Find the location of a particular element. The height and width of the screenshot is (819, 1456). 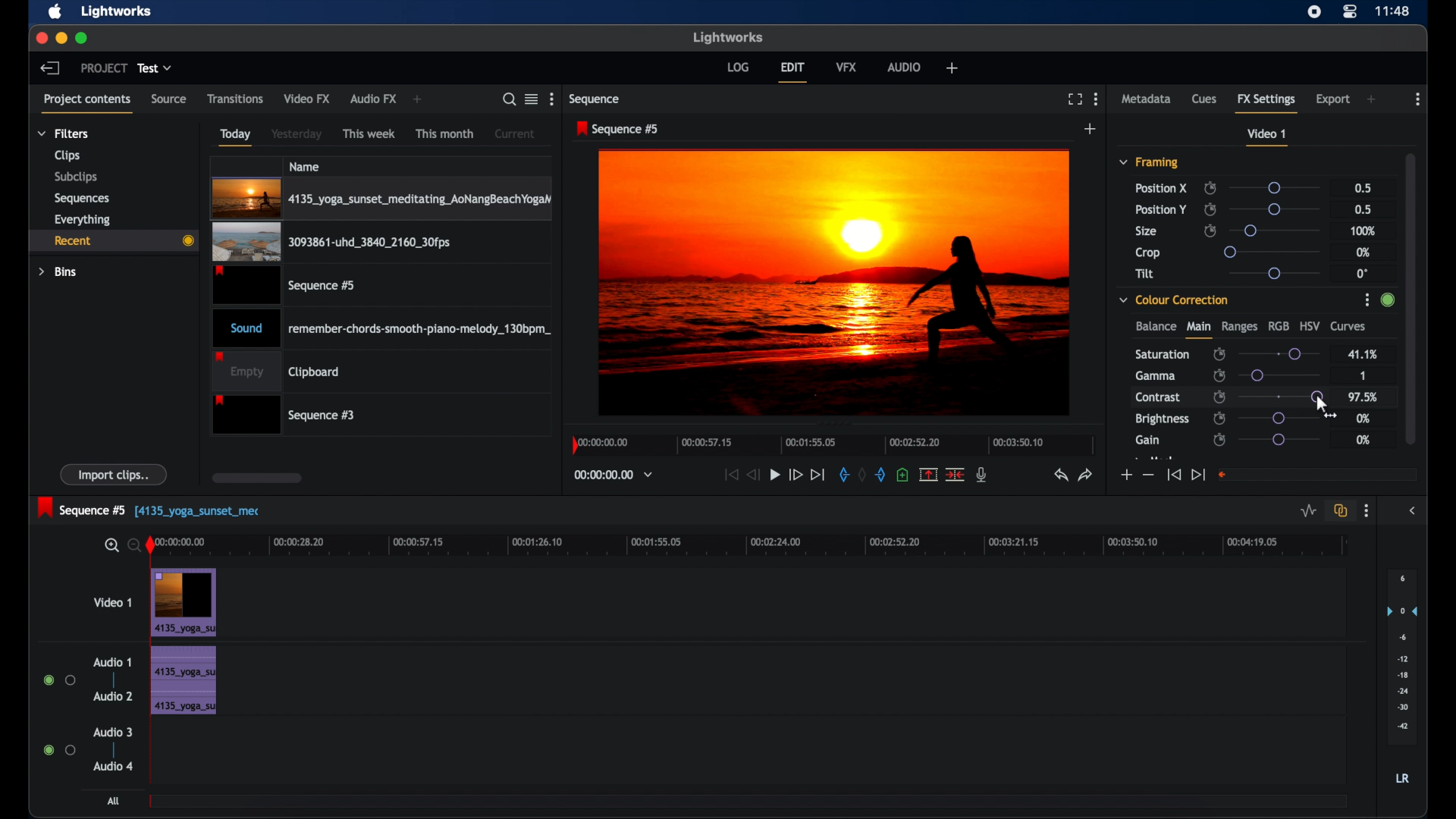

enable/disable keyframes is located at coordinates (1220, 397).